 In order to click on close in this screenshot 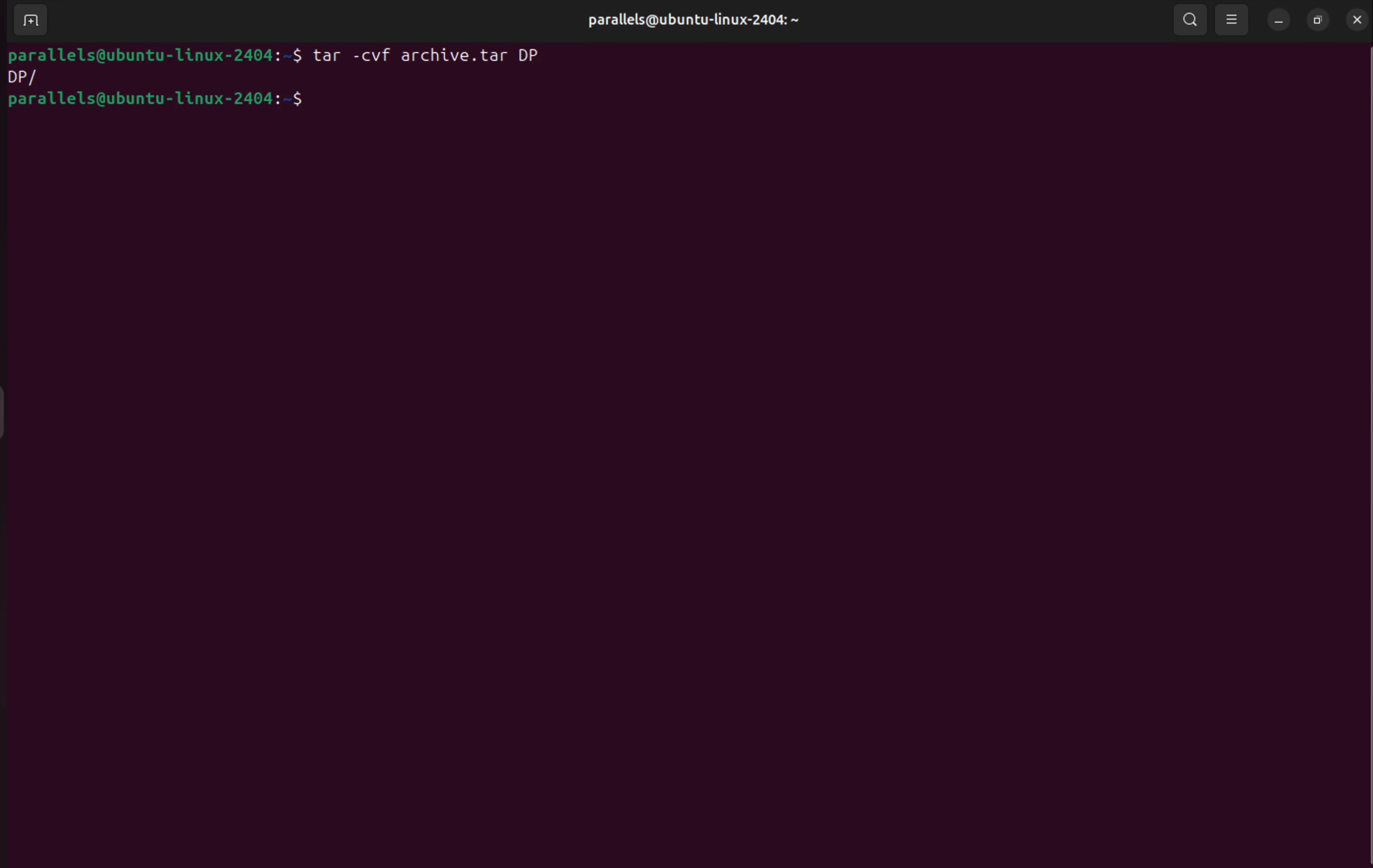, I will do `click(1359, 19)`.